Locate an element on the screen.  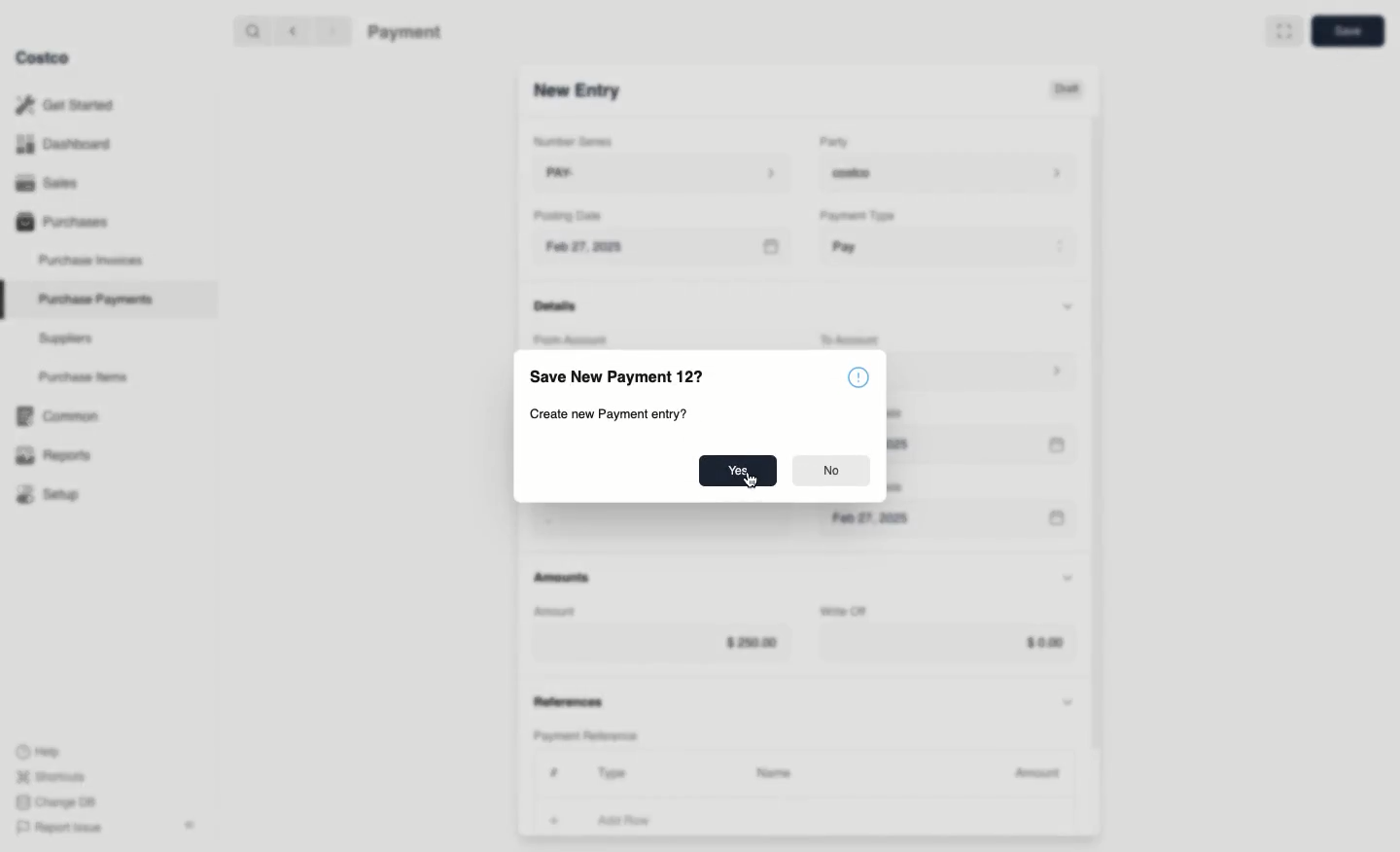
Sales is located at coordinates (53, 183).